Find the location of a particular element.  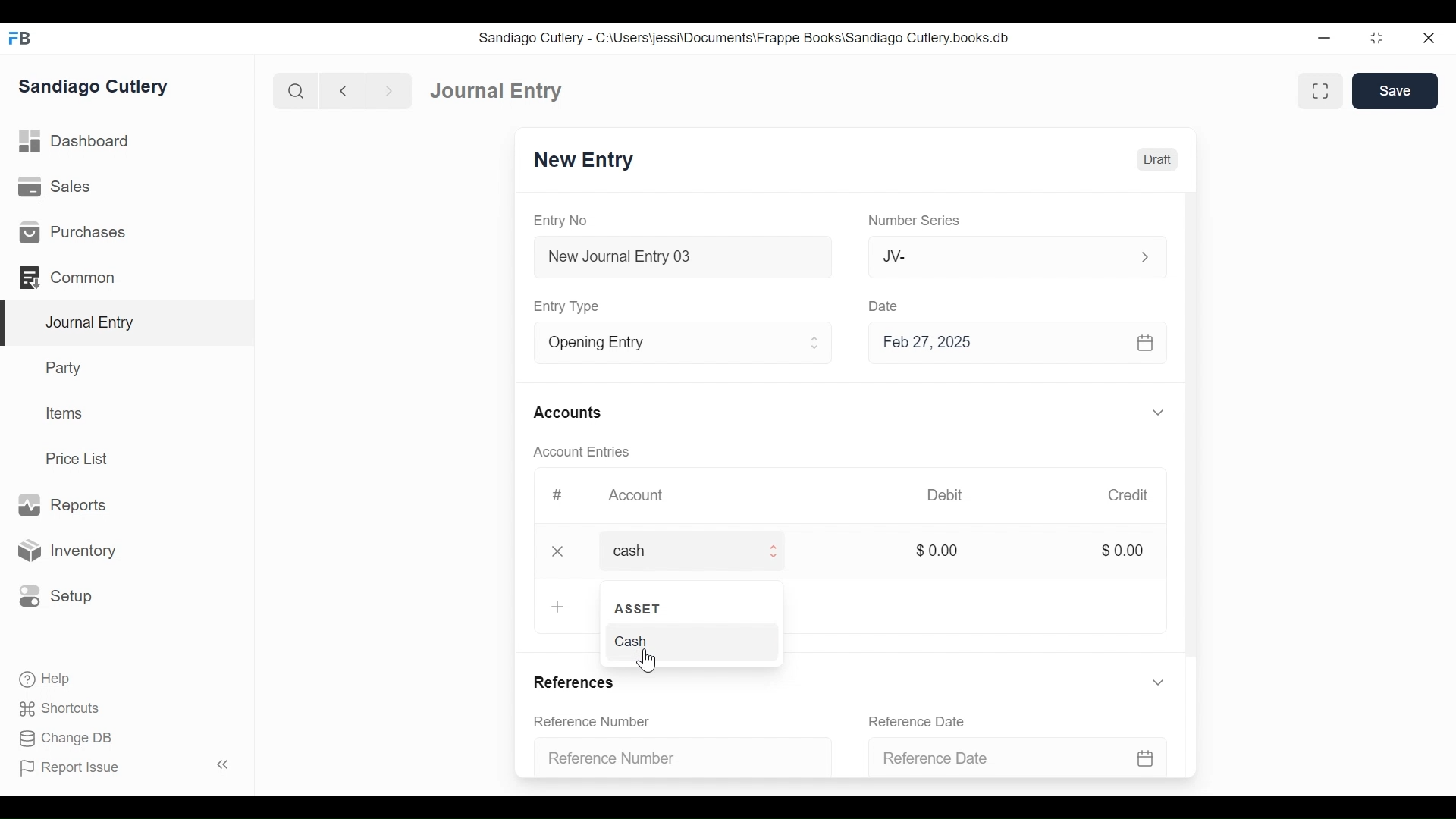

Setup is located at coordinates (56, 597).